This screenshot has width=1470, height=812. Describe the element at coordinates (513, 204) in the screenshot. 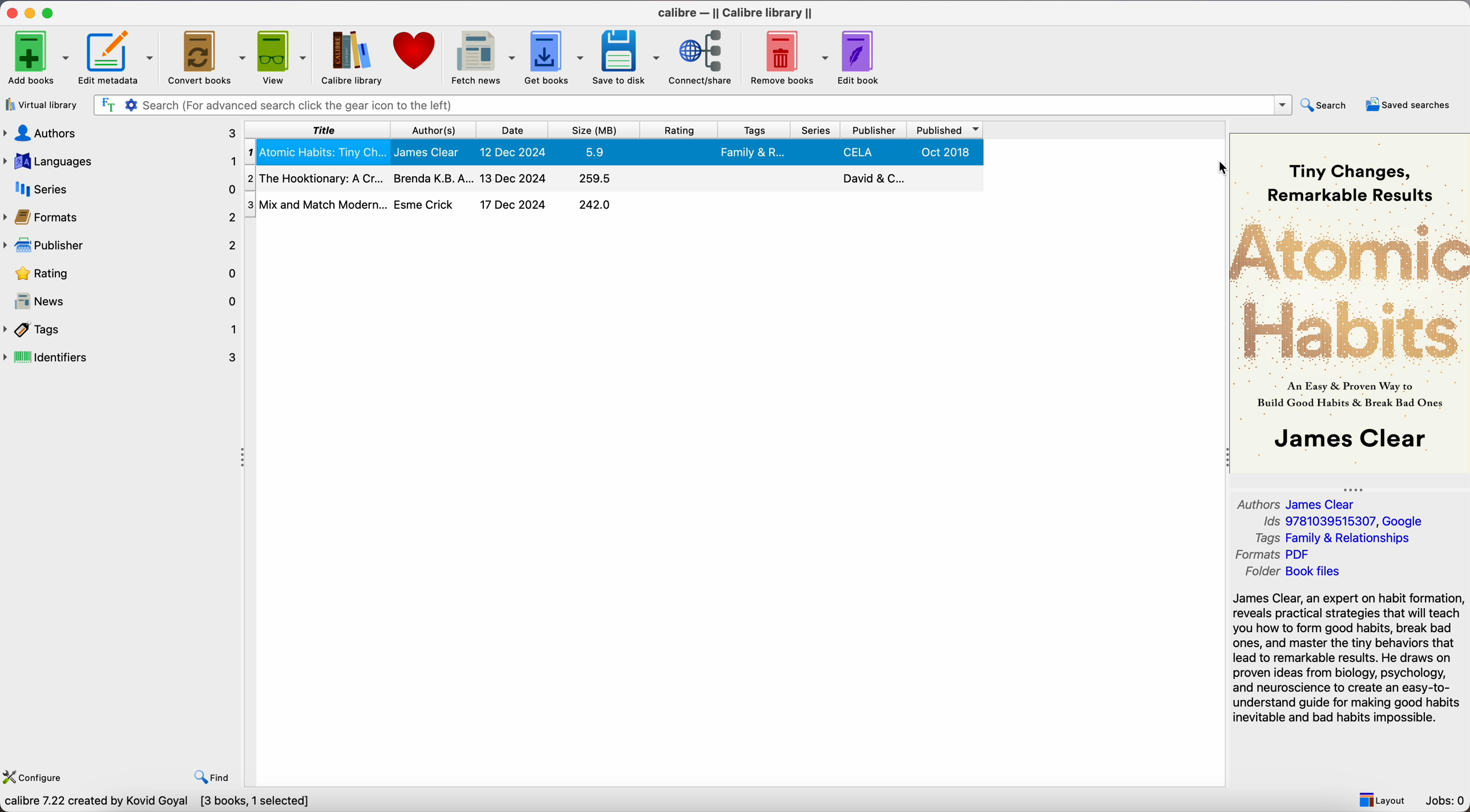

I see `17 Dec 2024` at that location.